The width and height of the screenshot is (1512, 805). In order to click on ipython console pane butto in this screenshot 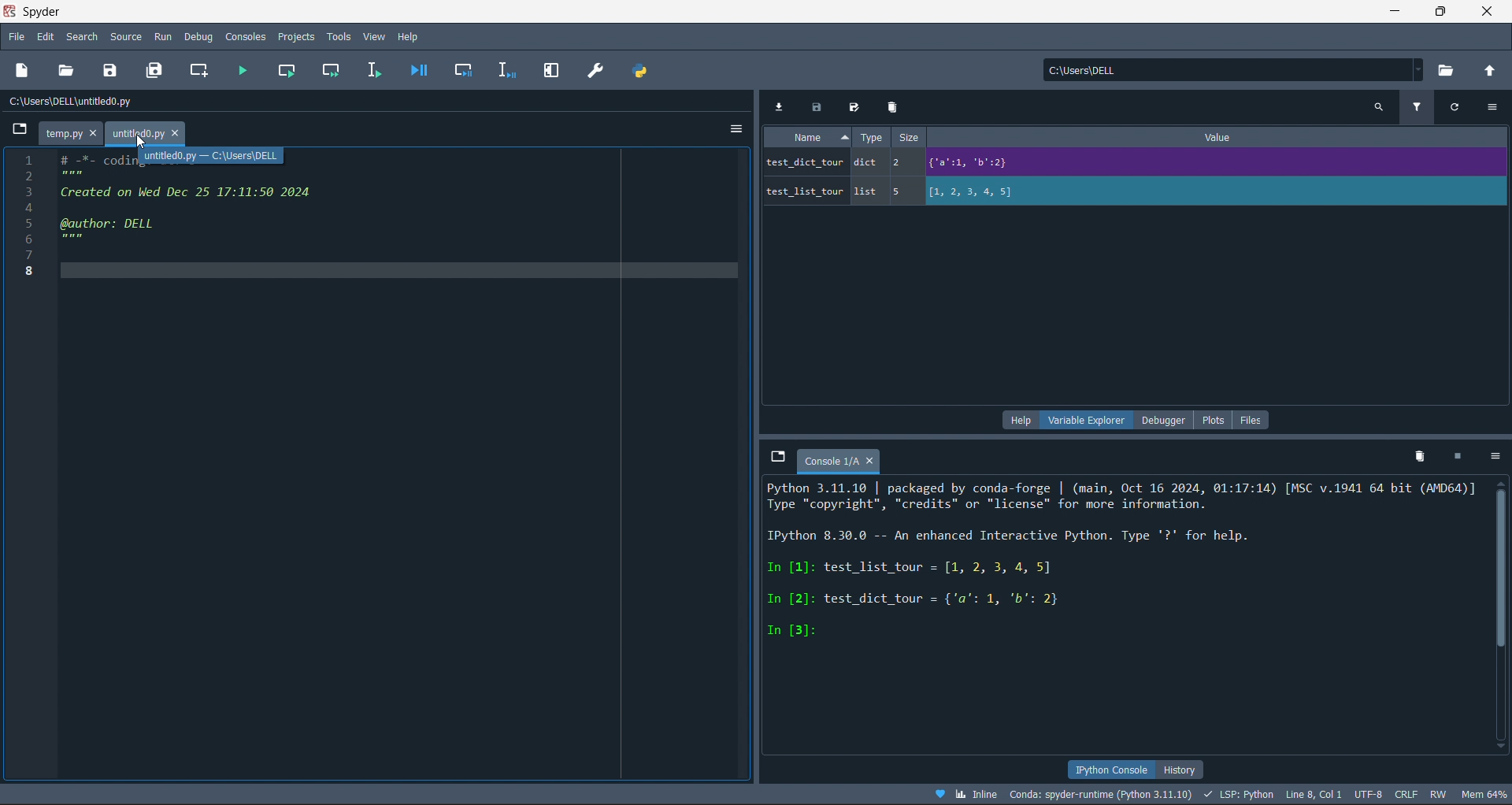, I will do `click(1110, 770)`.